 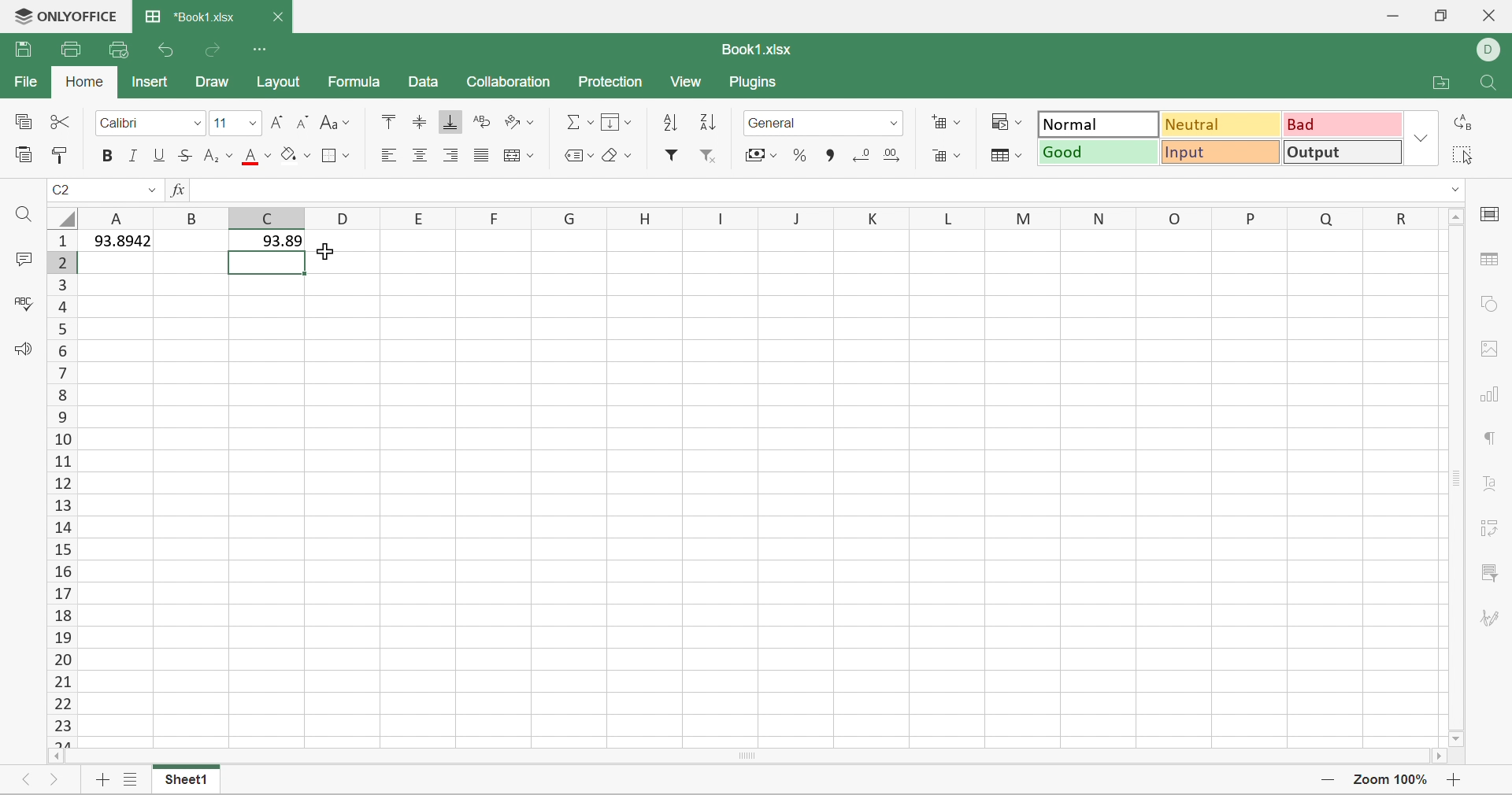 What do you see at coordinates (1492, 211) in the screenshot?
I see `cell settings` at bounding box center [1492, 211].